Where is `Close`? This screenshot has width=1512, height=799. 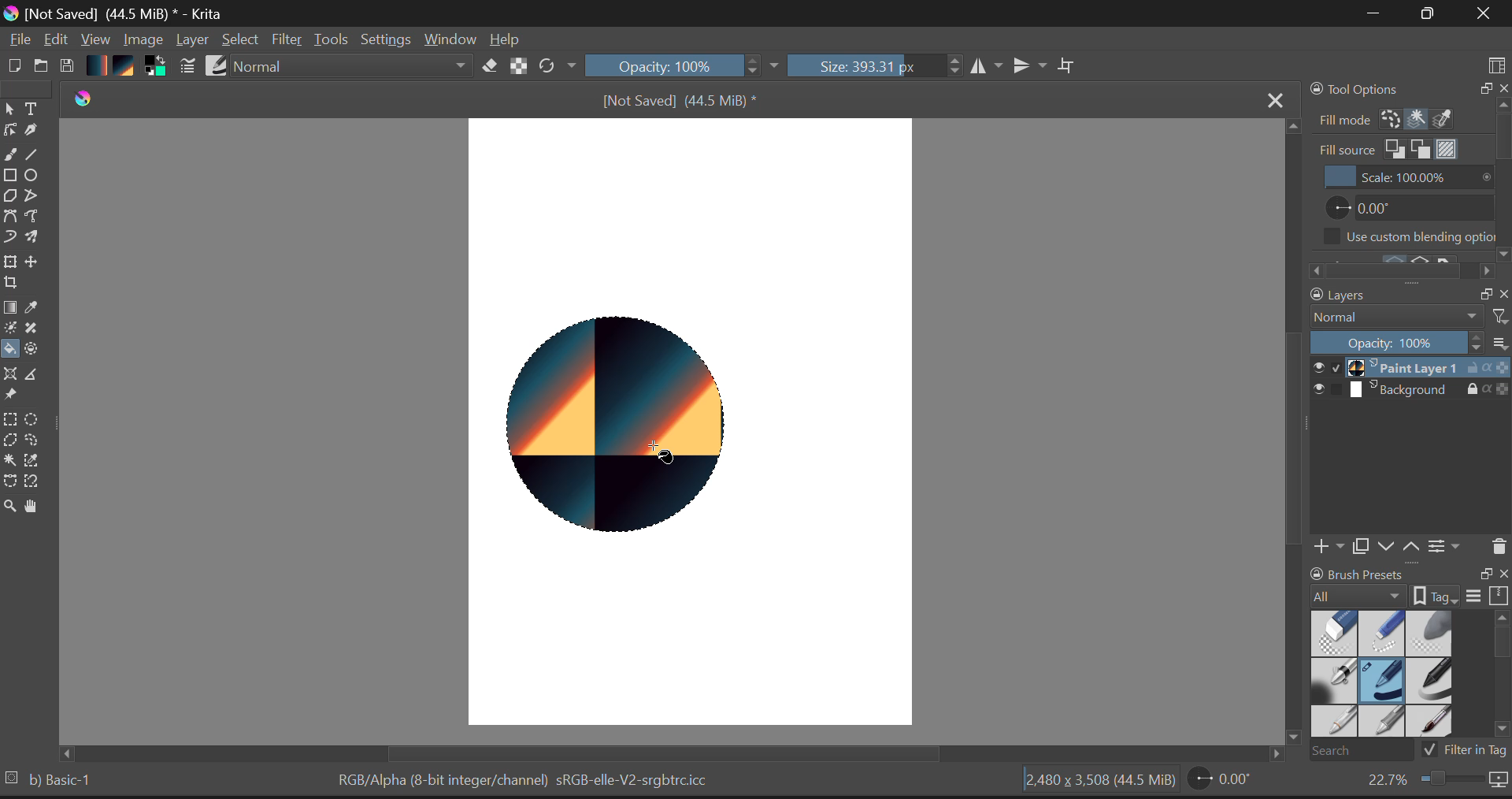 Close is located at coordinates (1271, 98).